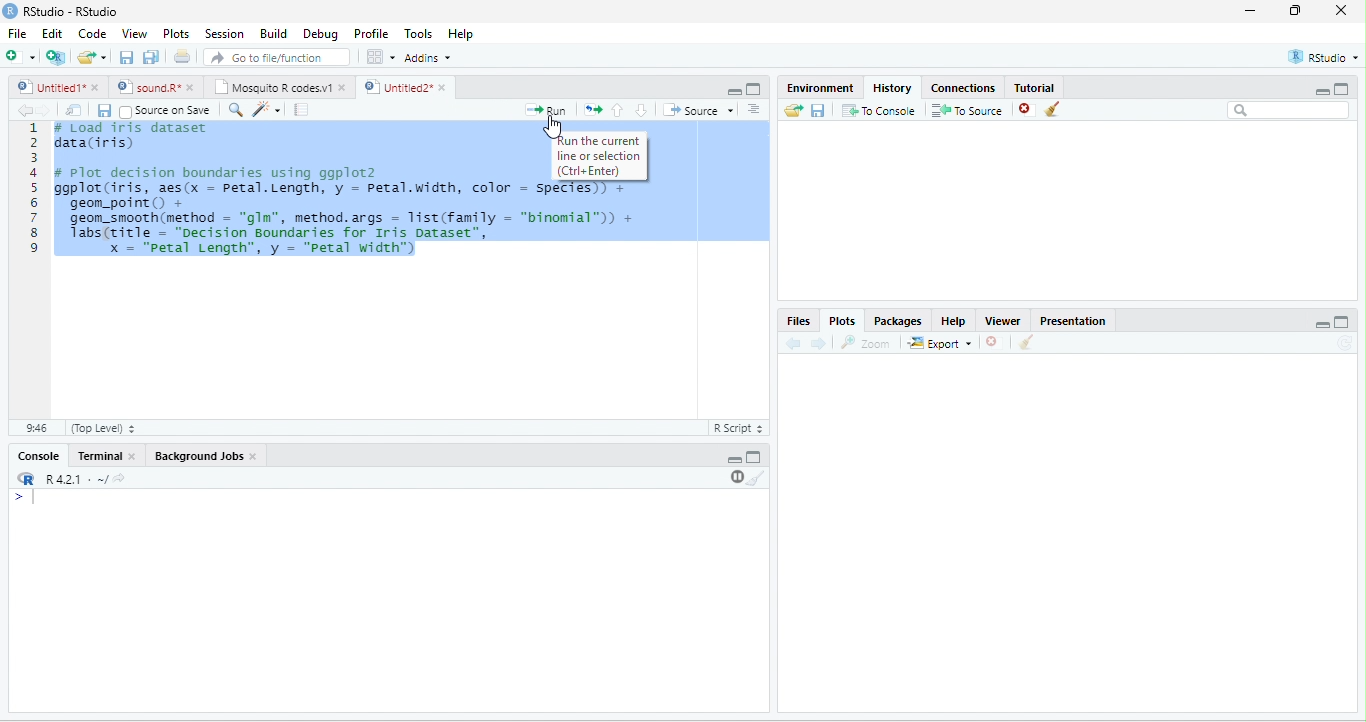 The image size is (1366, 722). I want to click on close, so click(344, 88).